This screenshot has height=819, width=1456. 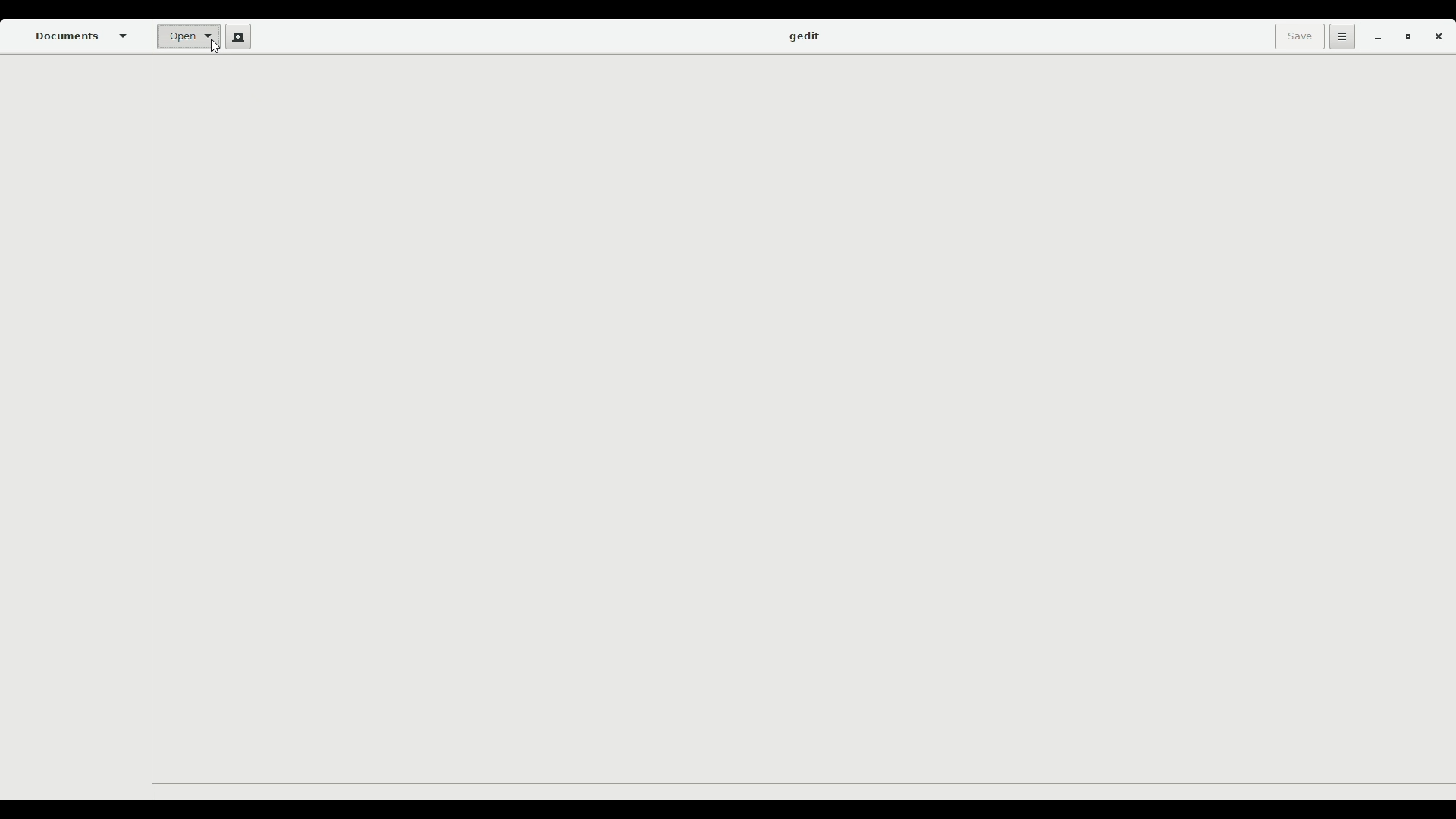 What do you see at coordinates (1438, 39) in the screenshot?
I see `Close` at bounding box center [1438, 39].